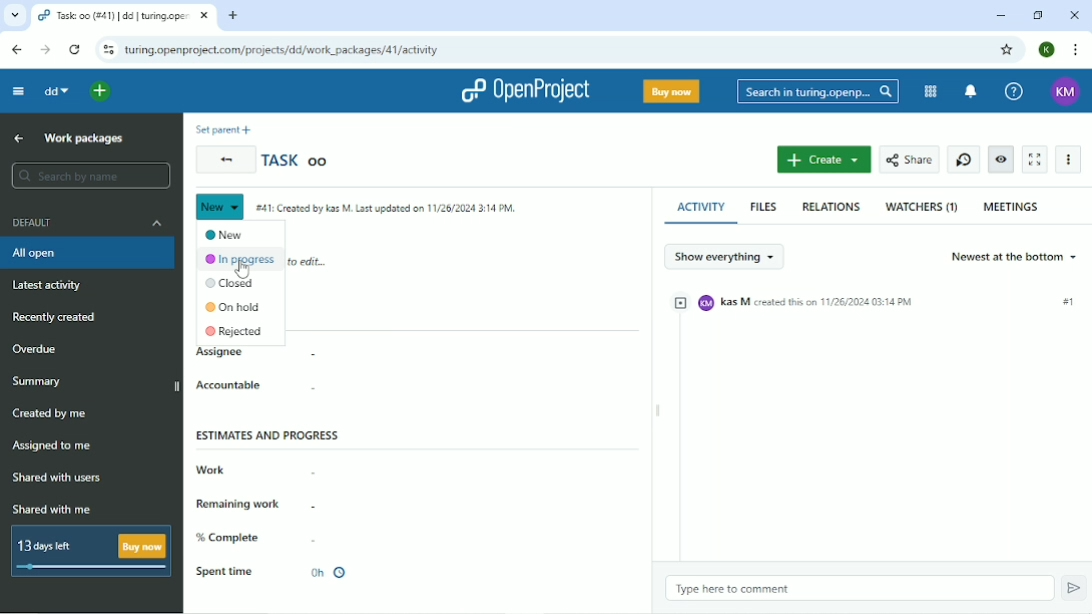  What do you see at coordinates (1039, 17) in the screenshot?
I see `Restore down` at bounding box center [1039, 17].